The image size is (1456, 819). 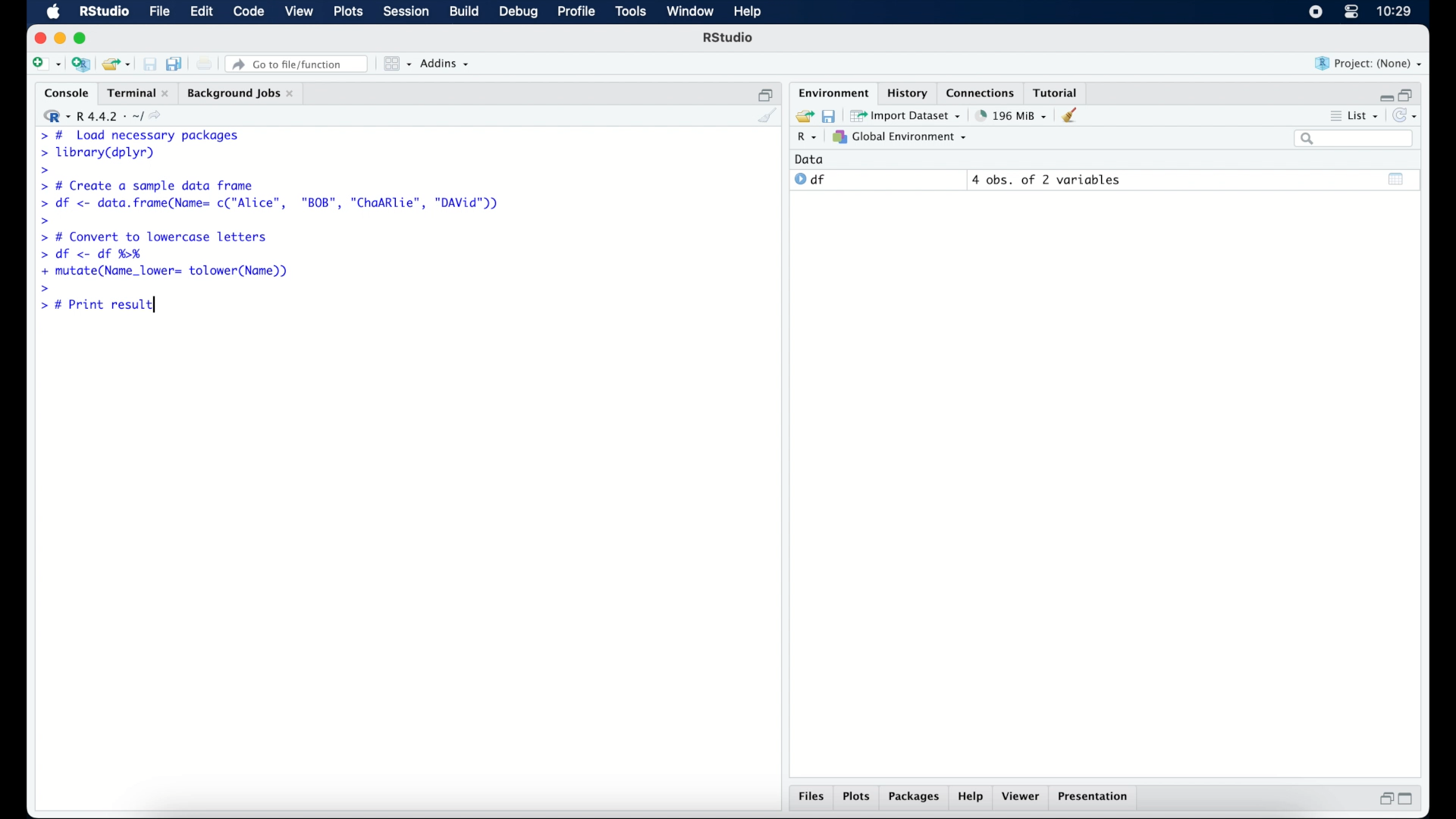 I want to click on restore down, so click(x=1409, y=93).